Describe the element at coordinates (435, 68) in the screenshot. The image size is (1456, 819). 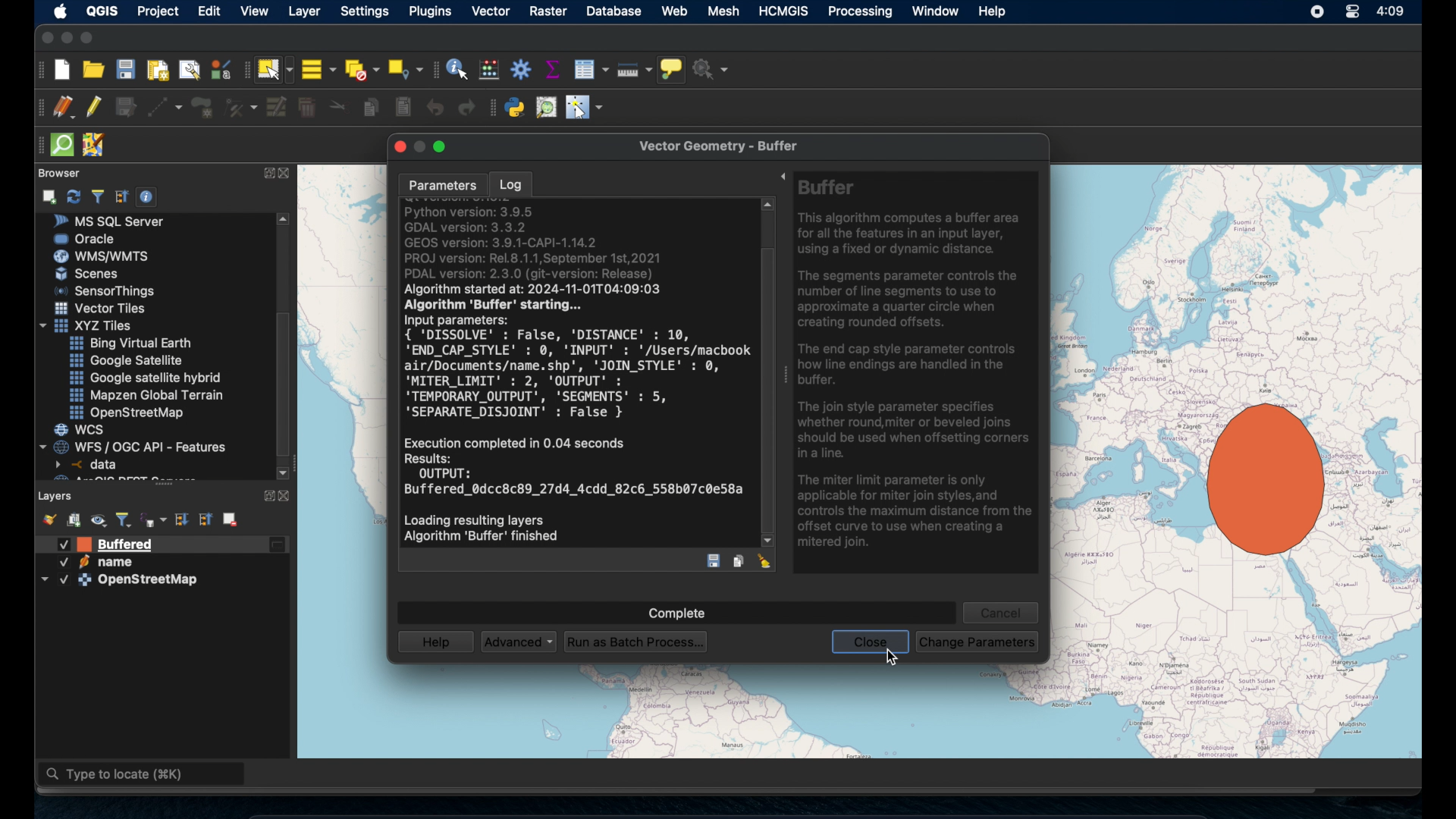
I see `attributes toolbar` at that location.